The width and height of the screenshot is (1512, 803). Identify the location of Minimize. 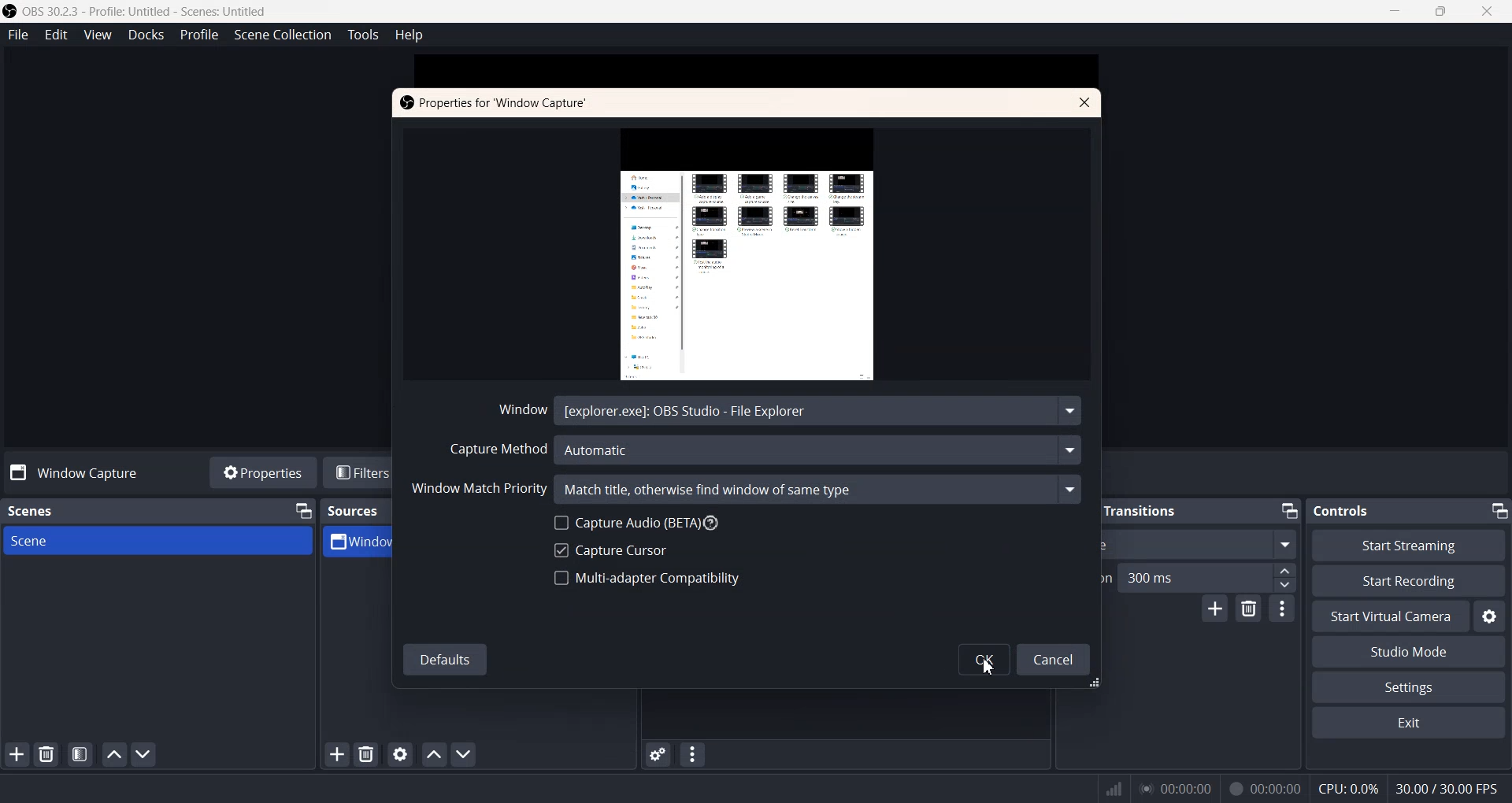
(1499, 511).